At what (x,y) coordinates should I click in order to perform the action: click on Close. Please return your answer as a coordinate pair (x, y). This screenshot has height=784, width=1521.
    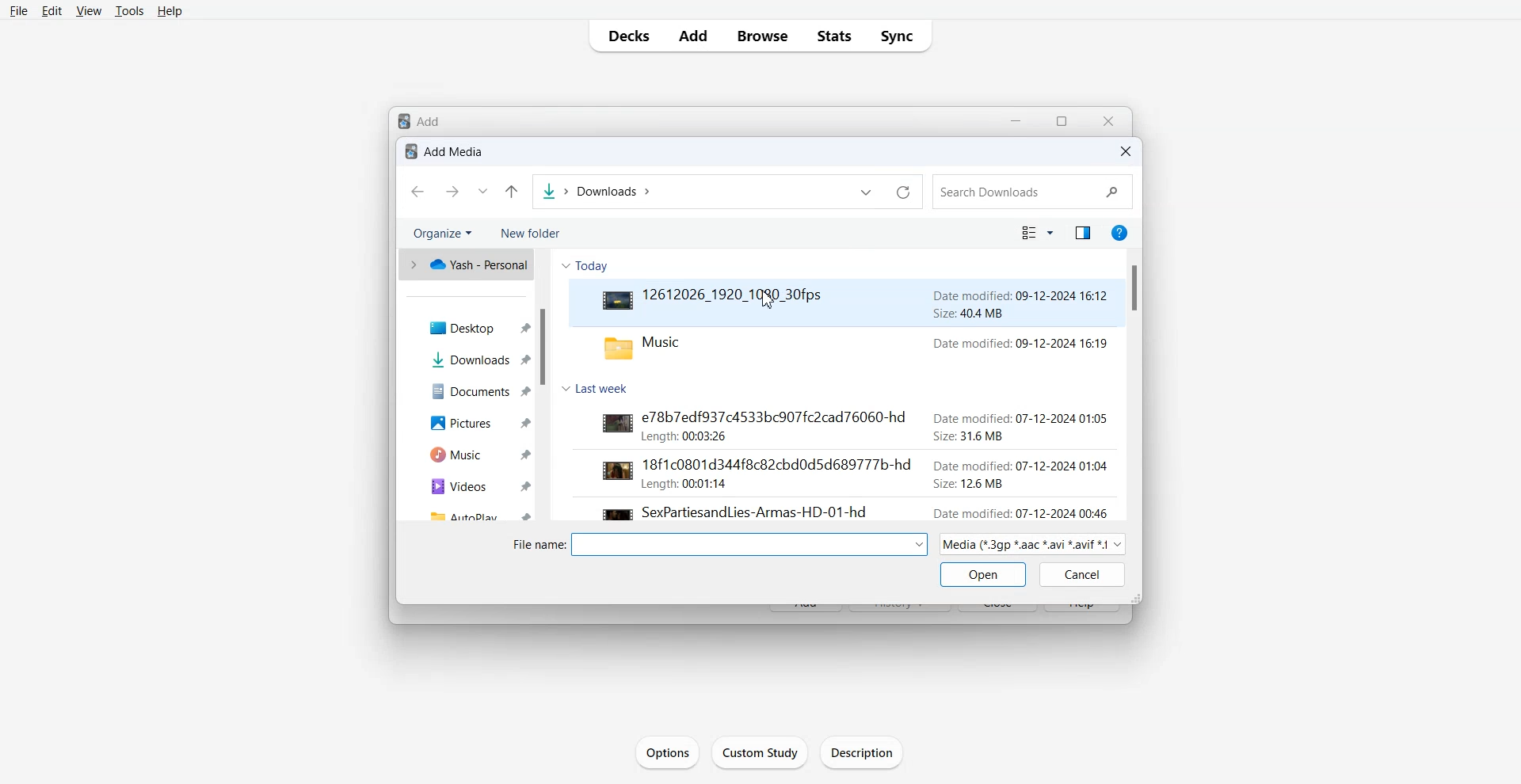
    Looking at the image, I should click on (1126, 150).